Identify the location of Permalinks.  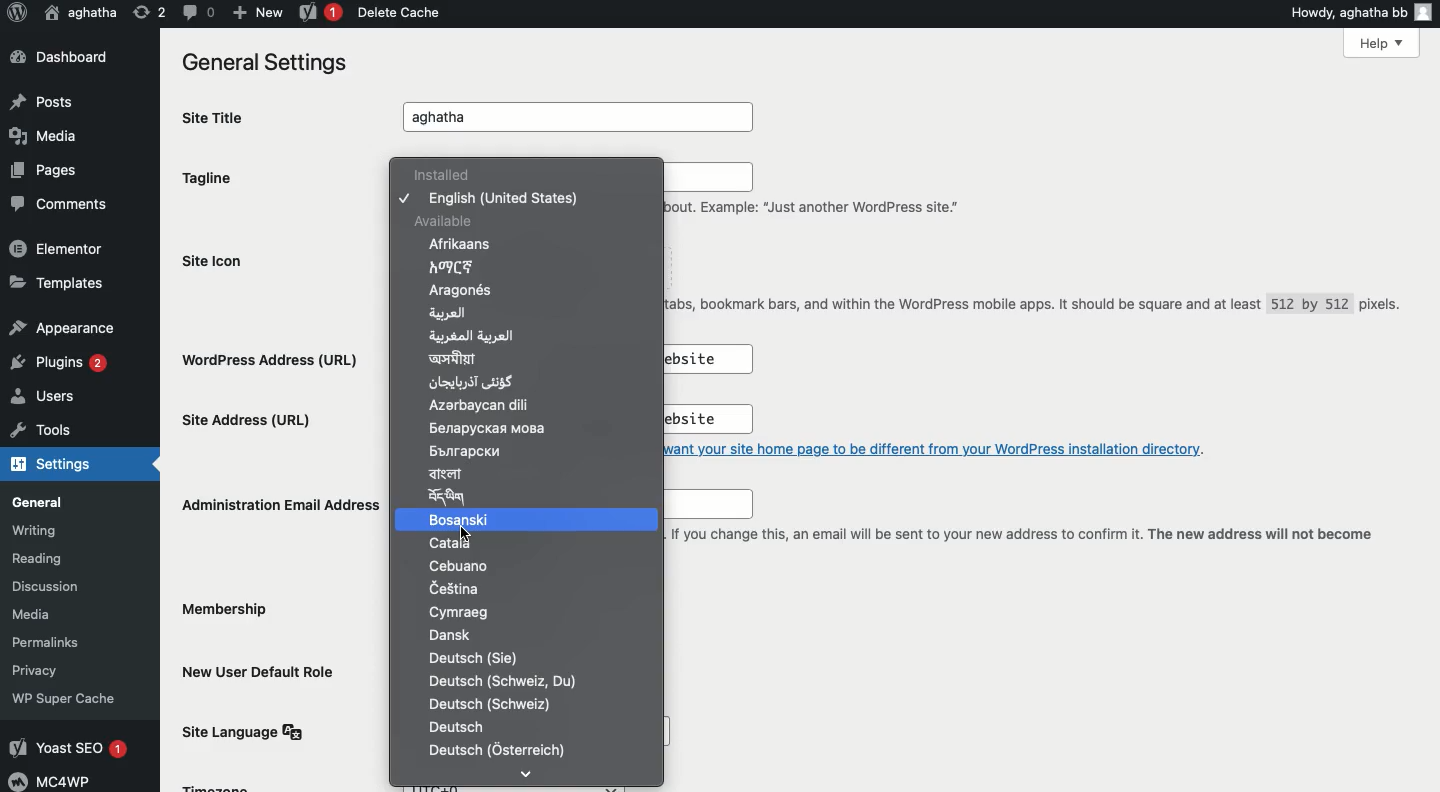
(60, 642).